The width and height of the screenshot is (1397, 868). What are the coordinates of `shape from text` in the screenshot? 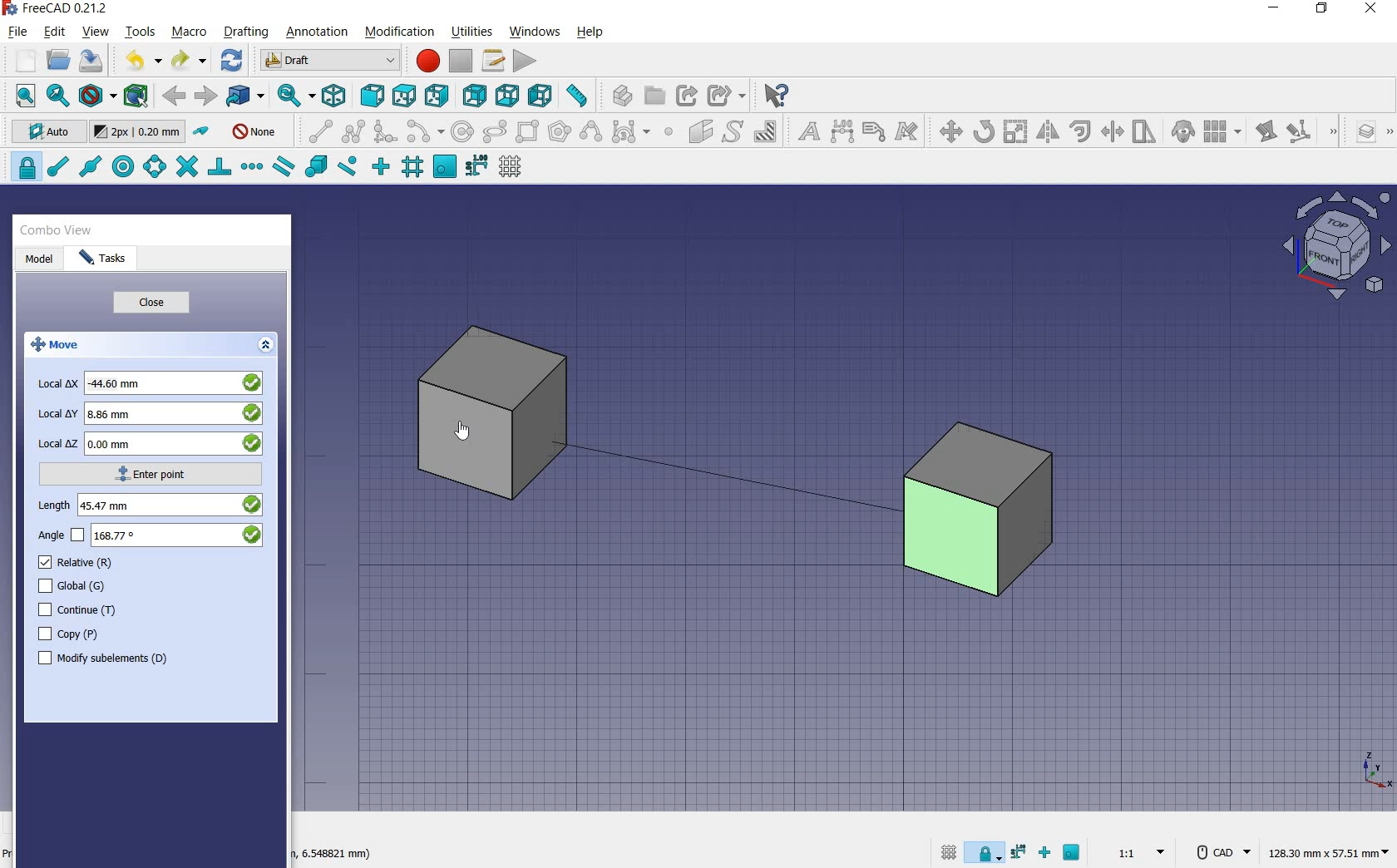 It's located at (734, 131).